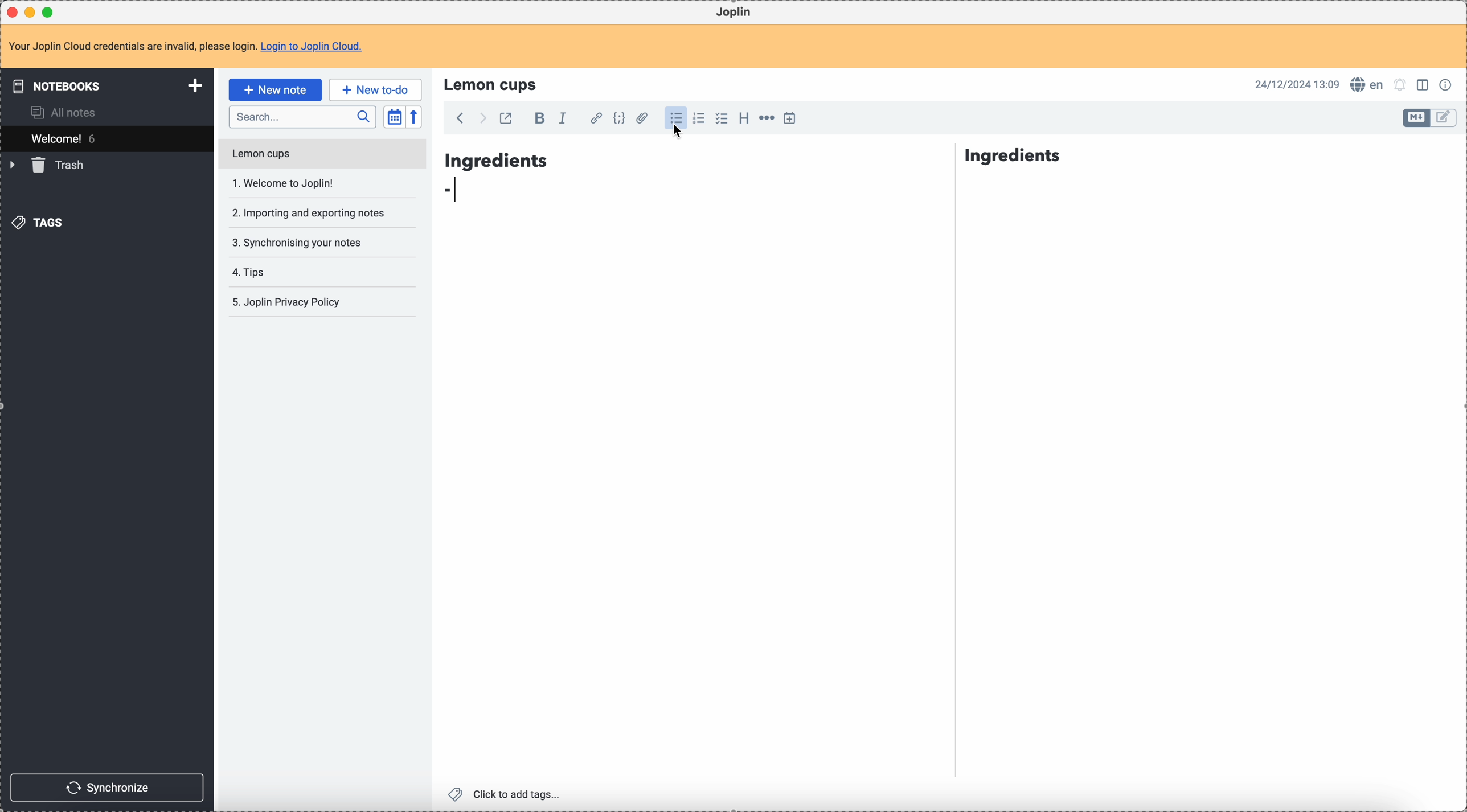  I want to click on toggle edit layout, so click(1444, 118).